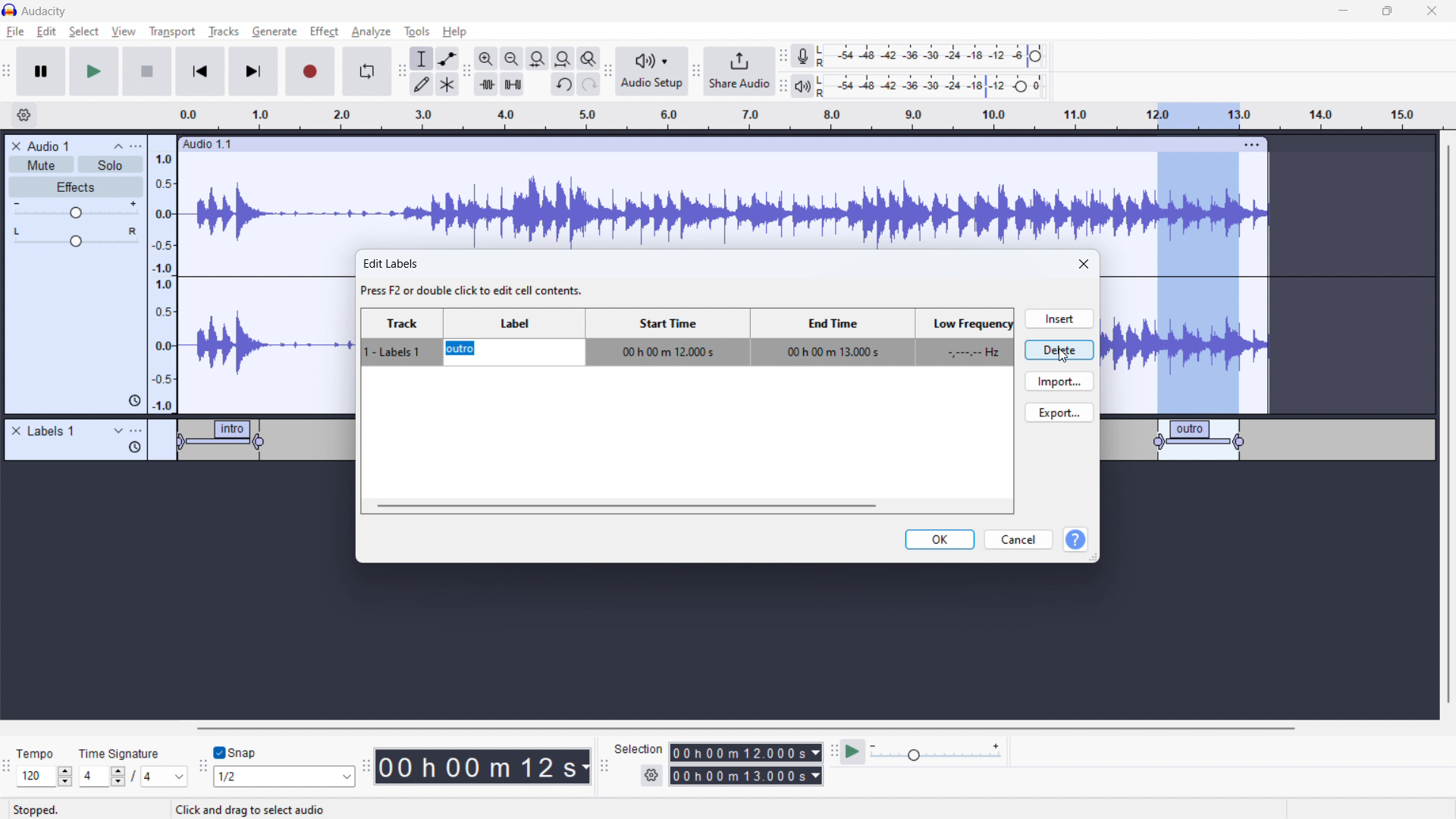  What do you see at coordinates (723, 202) in the screenshot?
I see `audio wave` at bounding box center [723, 202].